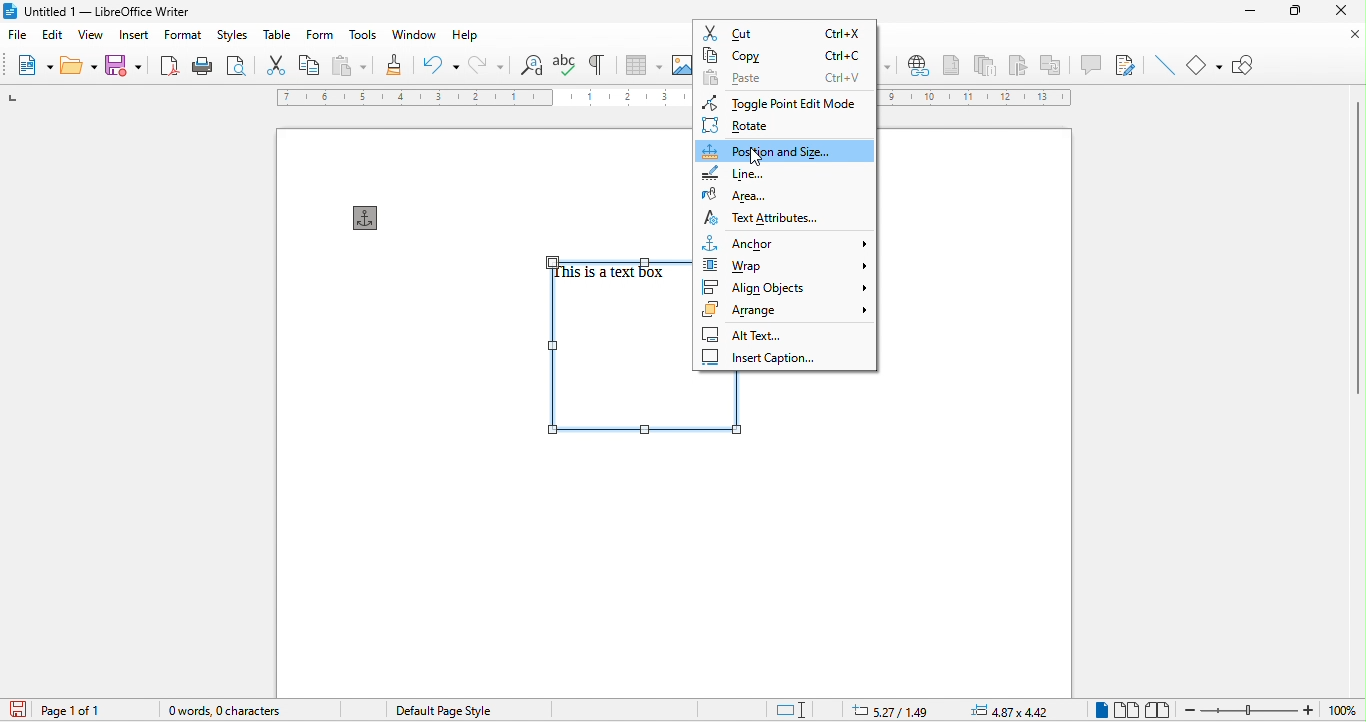  Describe the element at coordinates (246, 712) in the screenshot. I see `0 words, o character` at that location.